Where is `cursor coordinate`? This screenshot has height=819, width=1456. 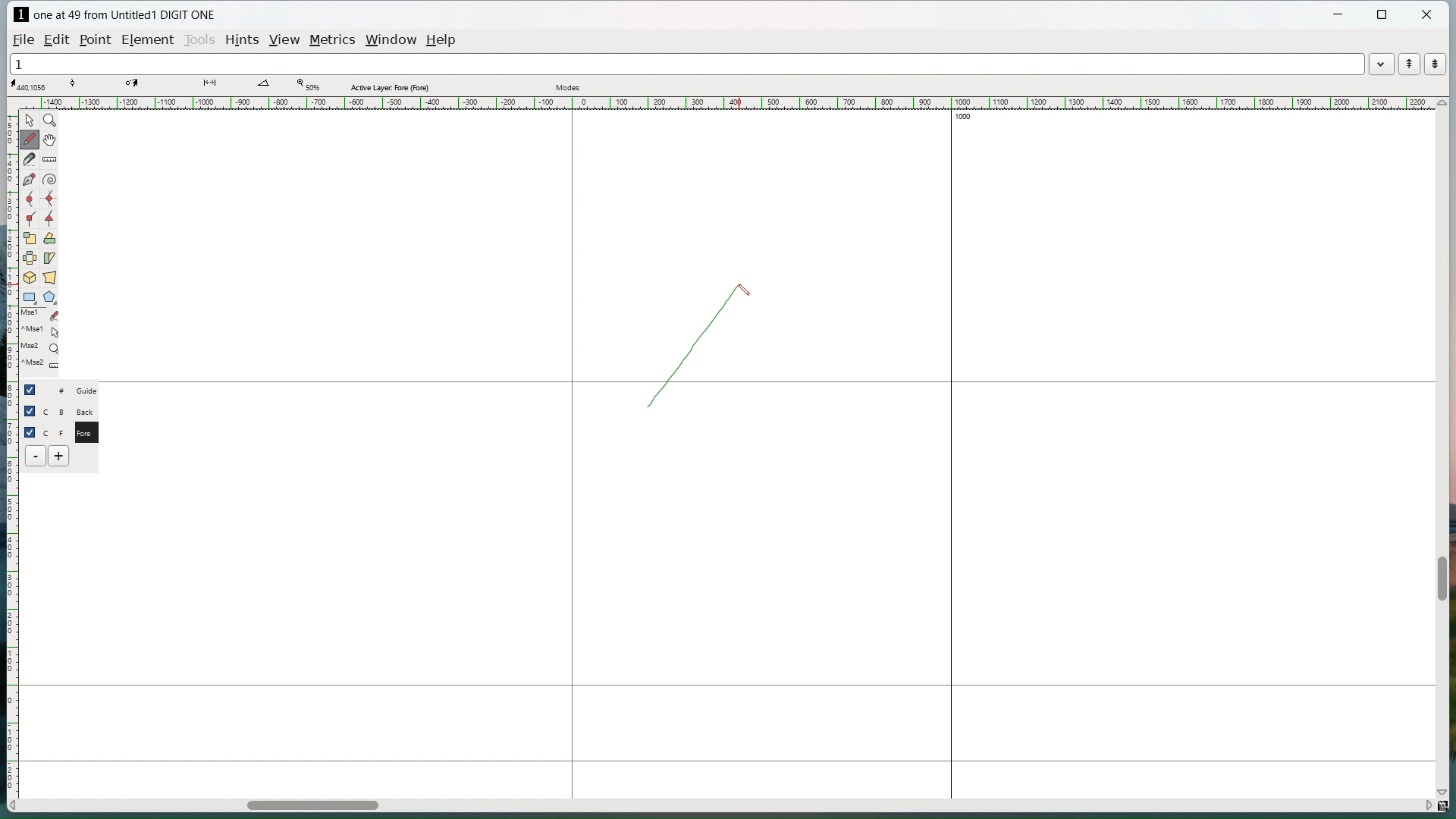 cursor coordinate is located at coordinates (31, 85).